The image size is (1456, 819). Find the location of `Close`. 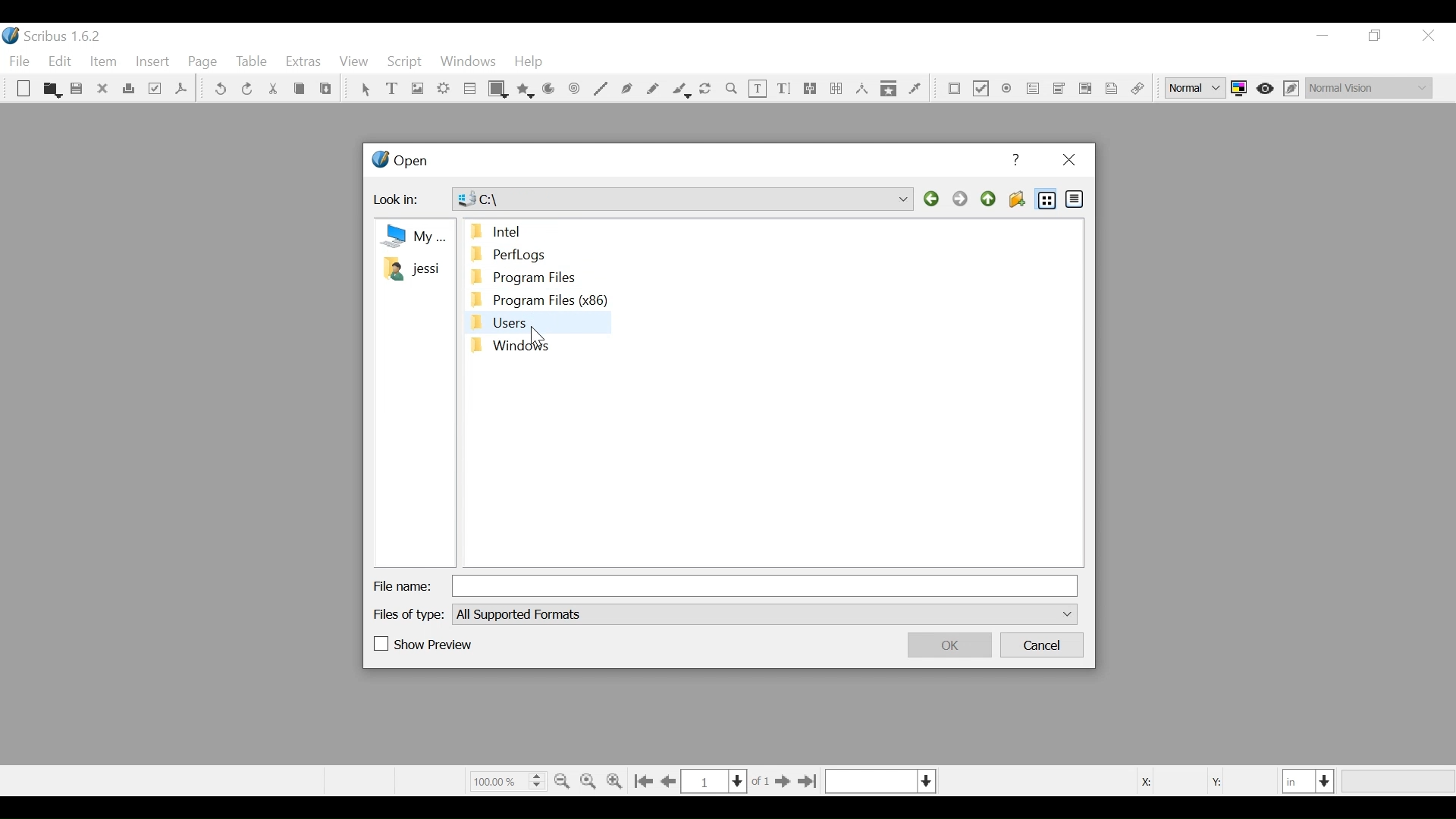

Close is located at coordinates (1427, 36).